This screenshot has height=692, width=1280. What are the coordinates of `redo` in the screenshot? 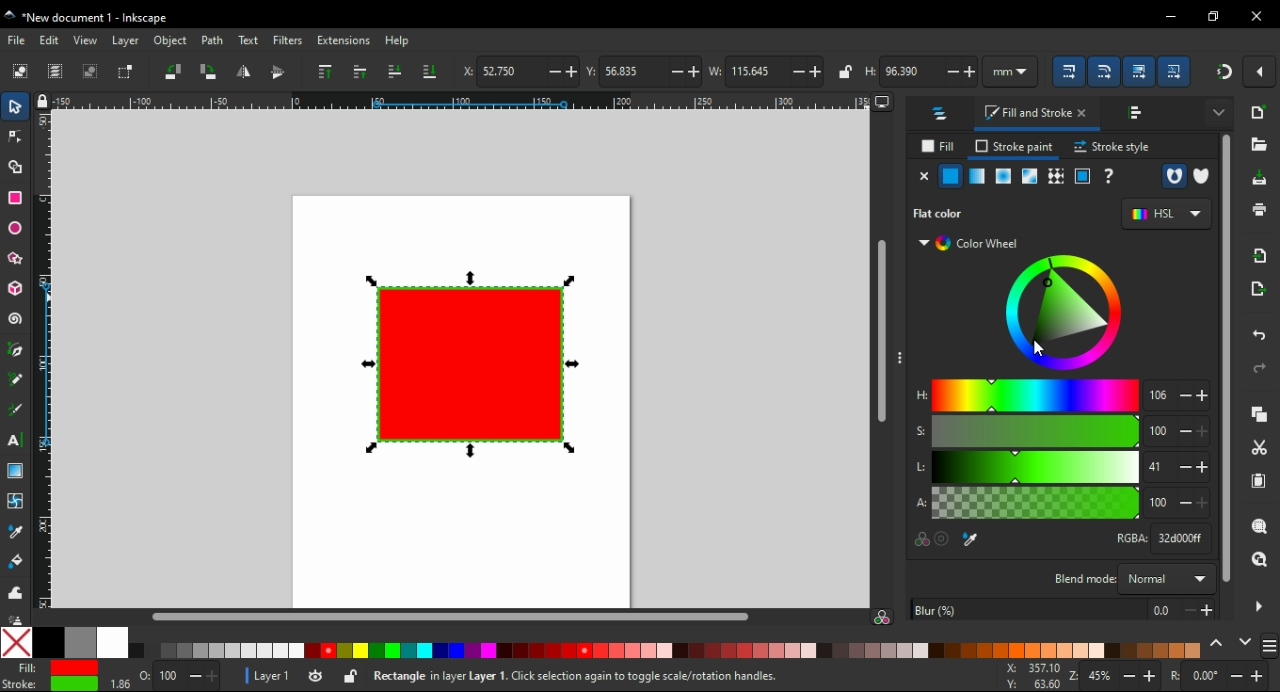 It's located at (1260, 368).